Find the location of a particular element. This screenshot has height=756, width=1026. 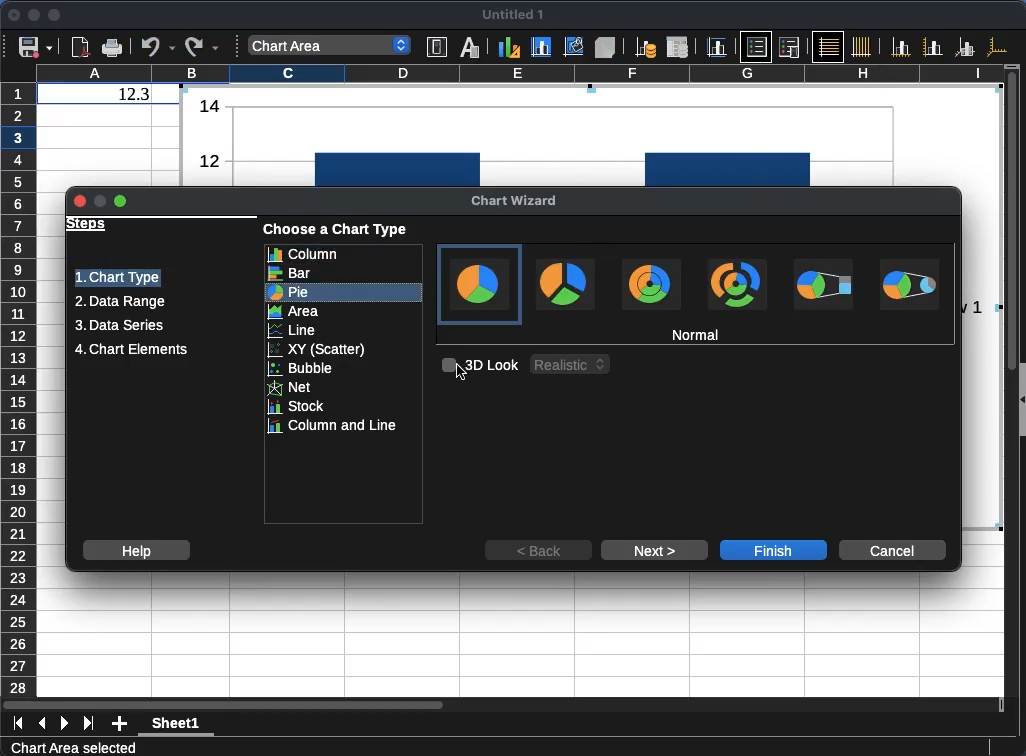

Data table is located at coordinates (678, 47).